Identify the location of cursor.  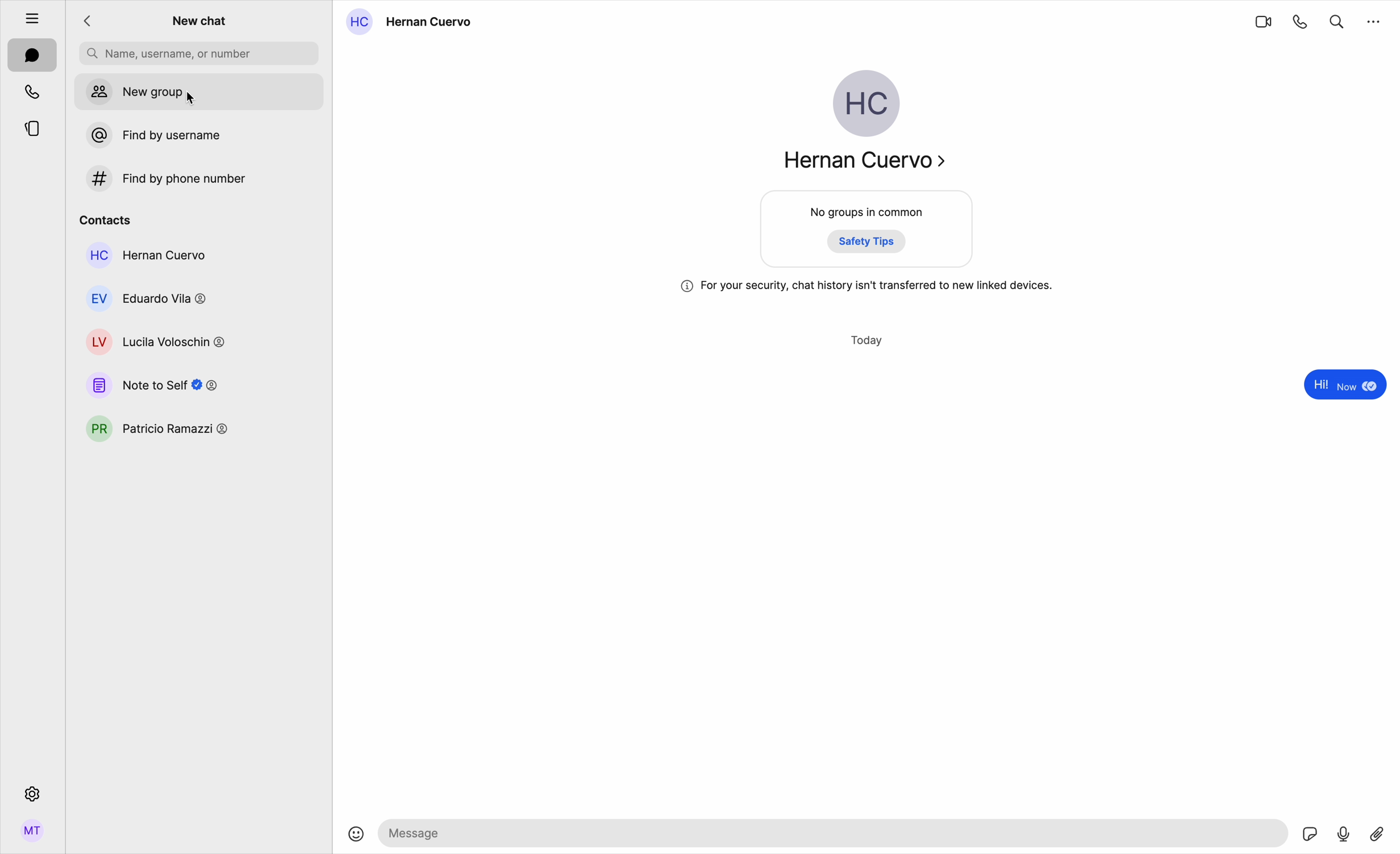
(197, 102).